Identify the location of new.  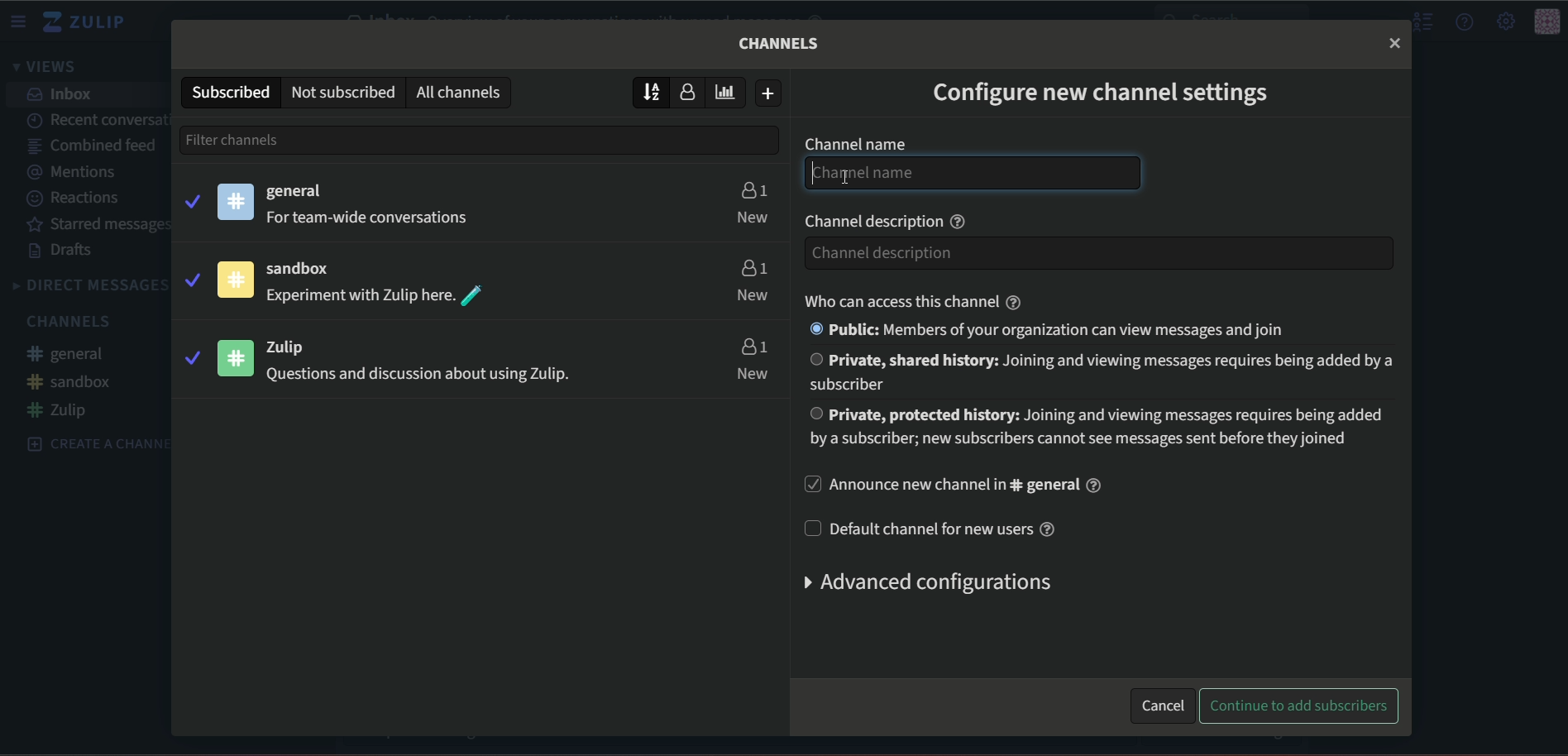
(754, 374).